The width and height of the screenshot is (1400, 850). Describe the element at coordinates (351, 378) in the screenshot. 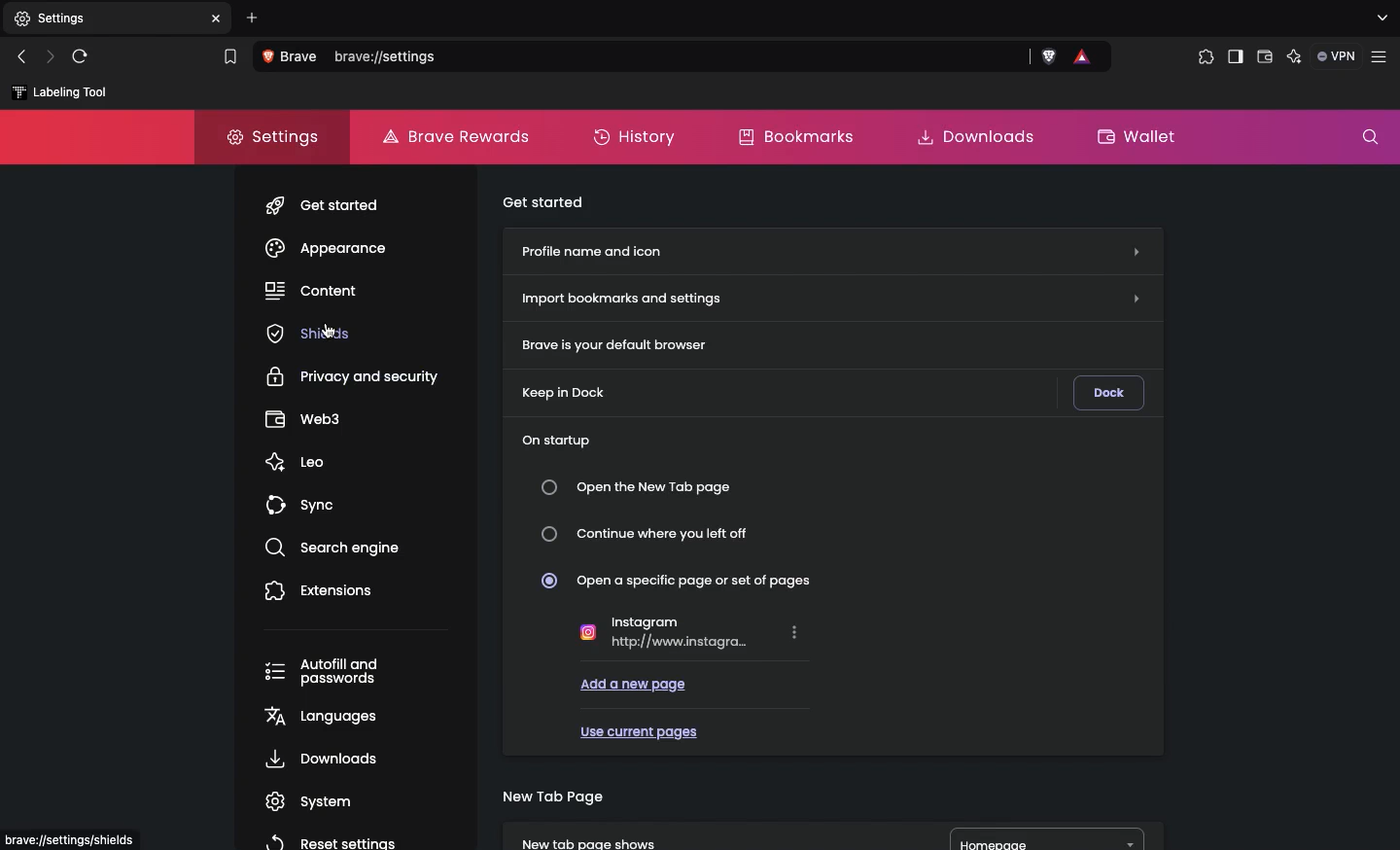

I see `Privacy and security` at that location.